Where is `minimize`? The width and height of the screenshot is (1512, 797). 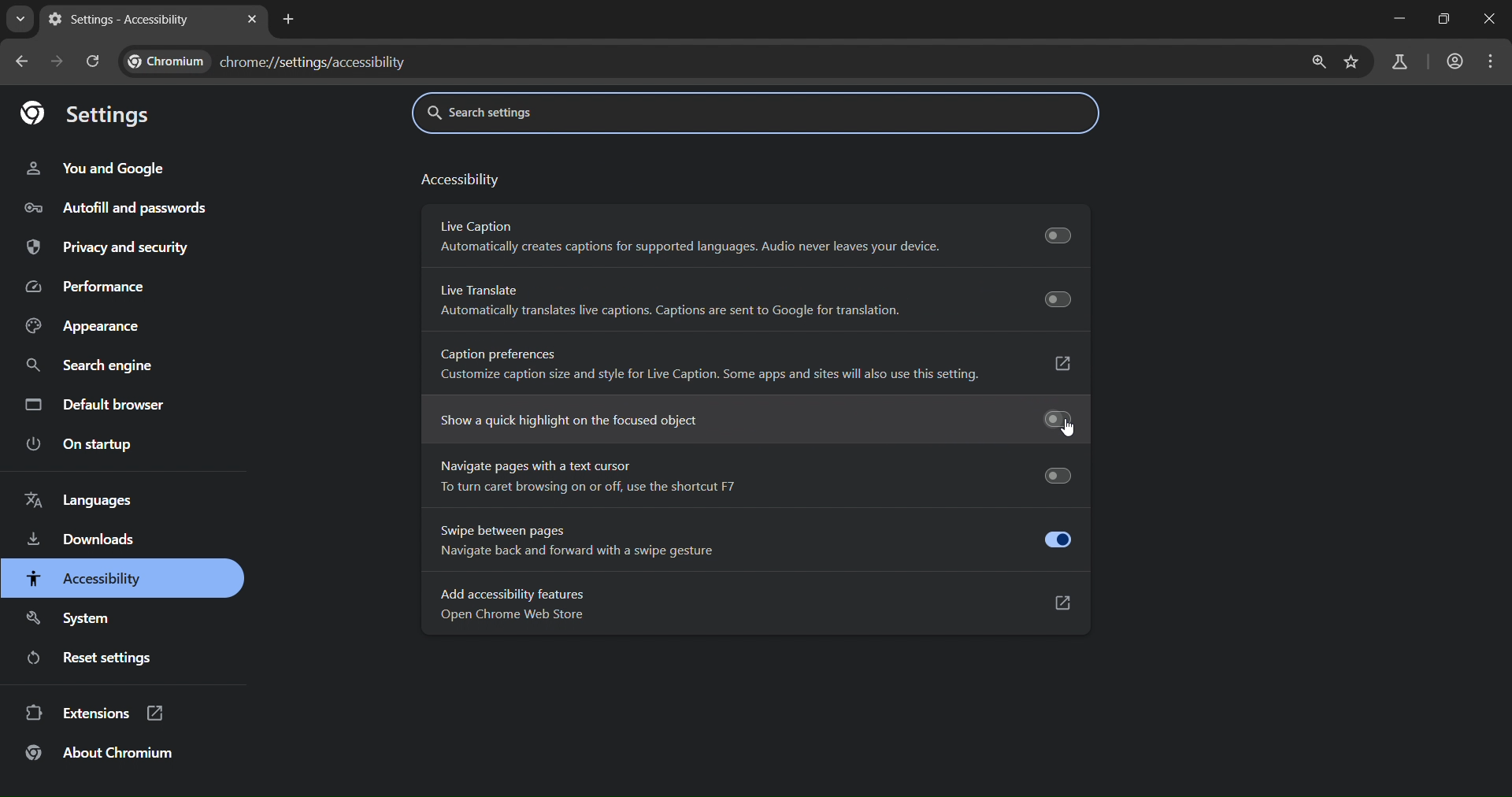 minimize is located at coordinates (1399, 19).